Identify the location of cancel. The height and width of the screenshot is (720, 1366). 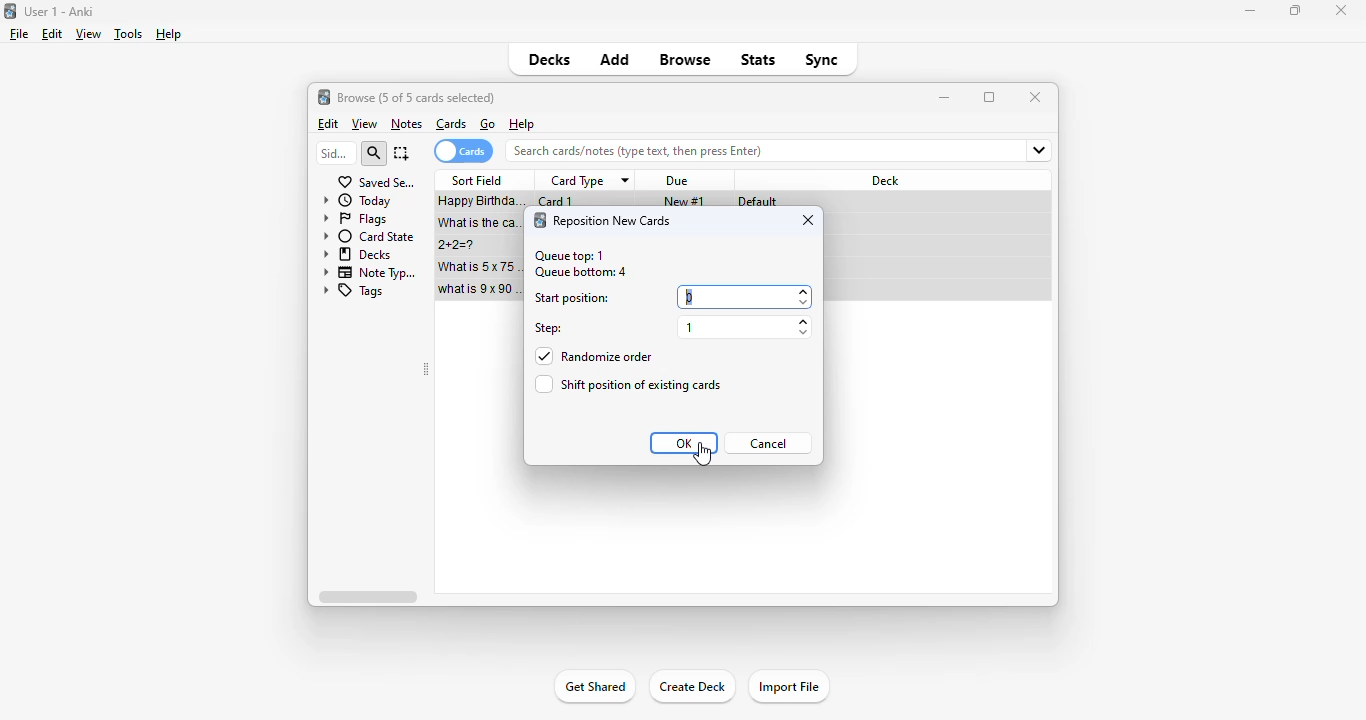
(768, 443).